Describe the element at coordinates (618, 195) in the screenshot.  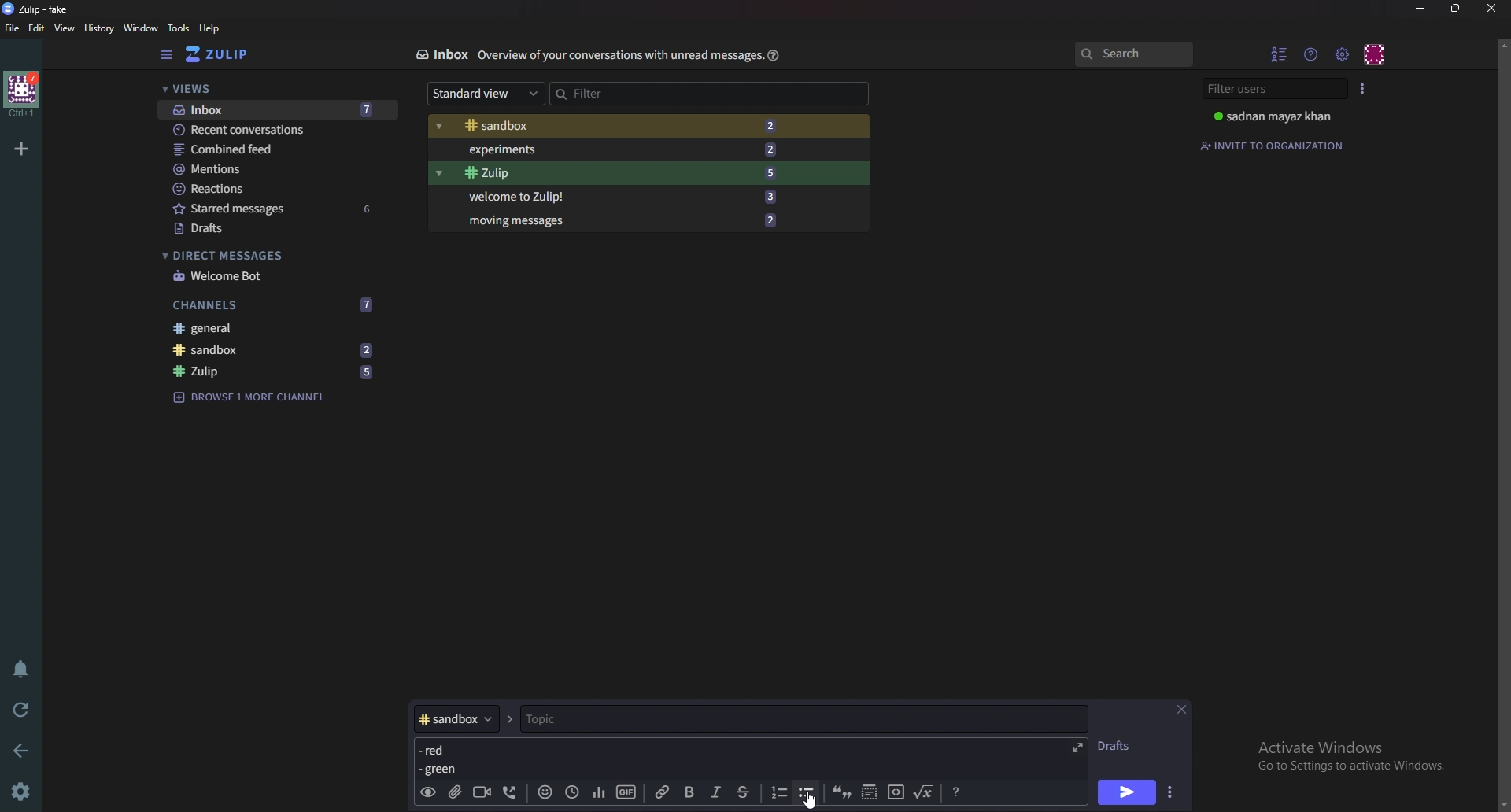
I see `Welcome to zulip` at that location.